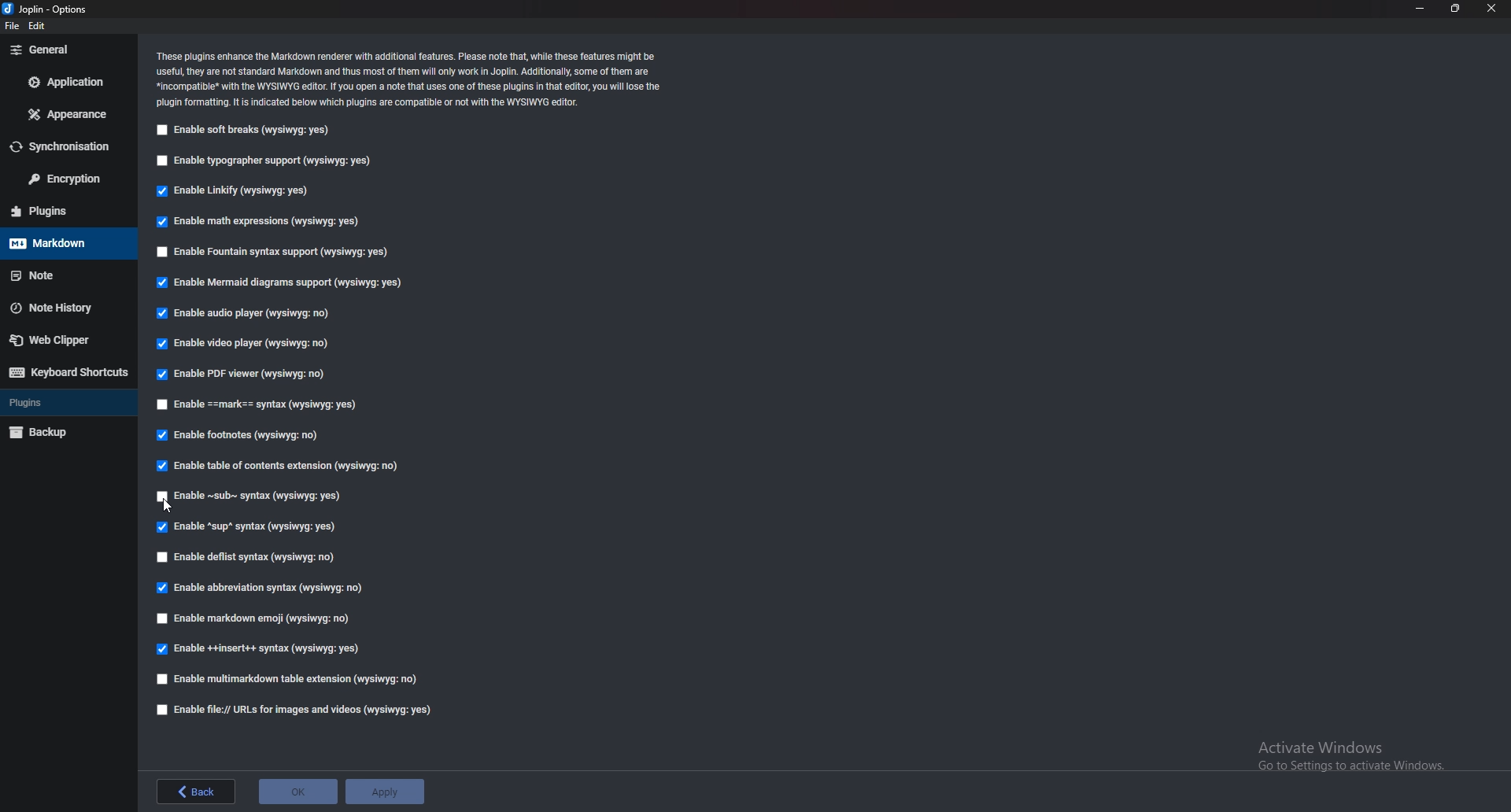  What do you see at coordinates (416, 80) in the screenshot?
I see `‘These plugins enhance the Markdown renderer with additional features. Please note that, while these features might be
‘useful, they are not standard Markdown and thus most of them will only work in Joplin. Additionally, some of them are
*incompatibie* with the WYSIWYG editor. If You open a note that uses one of these plugins in that editor, you wil lose the
‘plugin formatting. It is indicated below which plugins are compatible or not with the WYSIWYG editor.` at bounding box center [416, 80].